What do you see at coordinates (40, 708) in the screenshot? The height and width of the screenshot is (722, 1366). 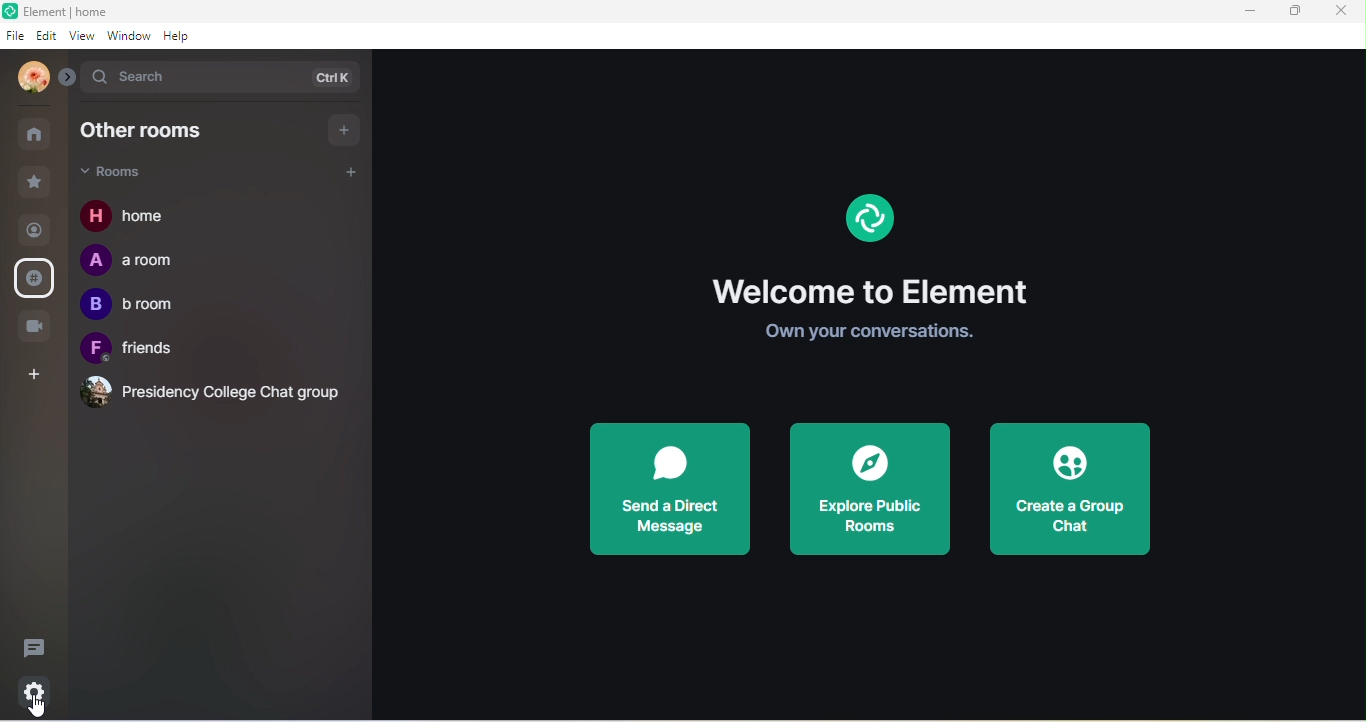 I see `cursor` at bounding box center [40, 708].